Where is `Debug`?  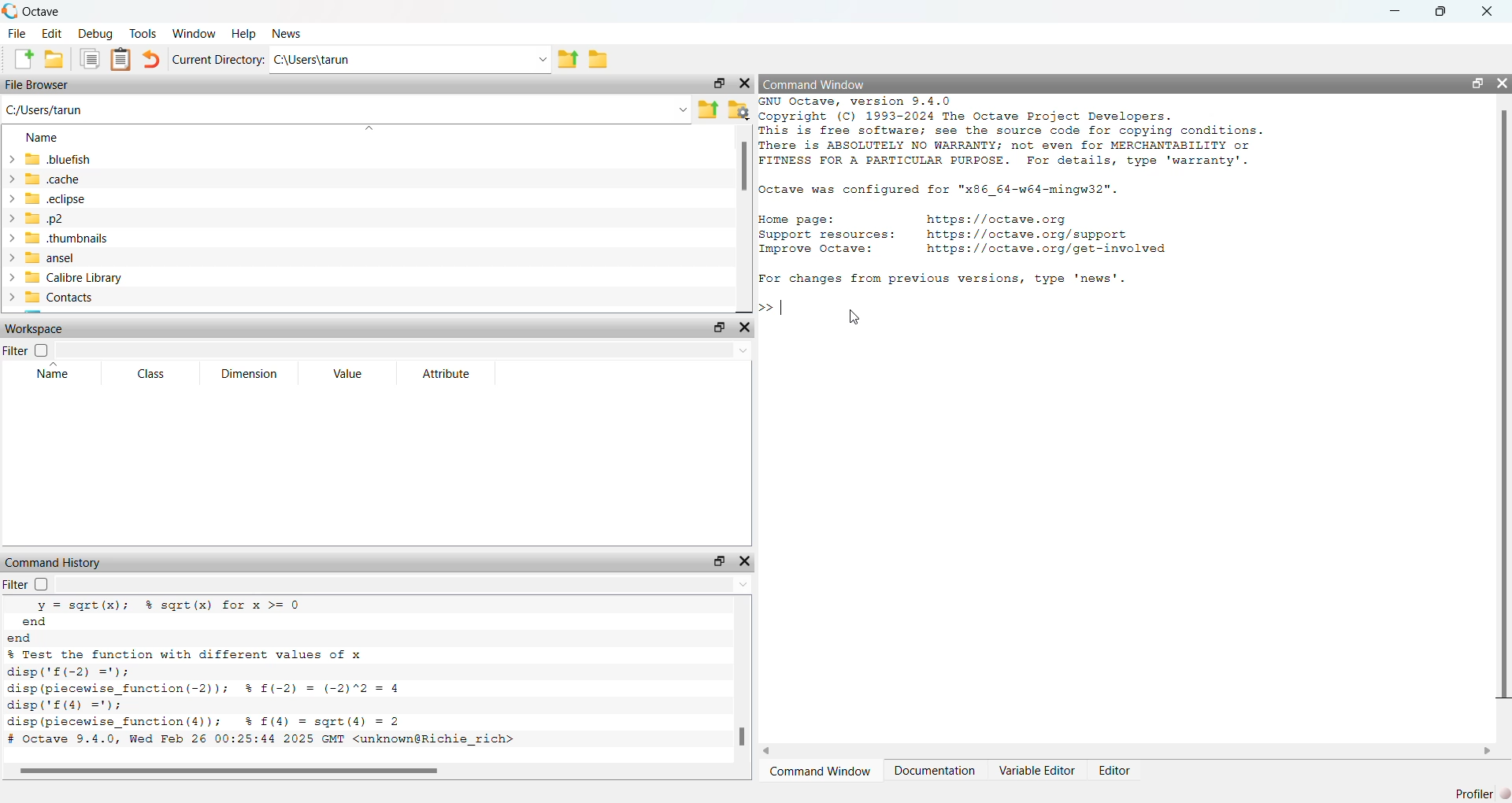 Debug is located at coordinates (95, 34).